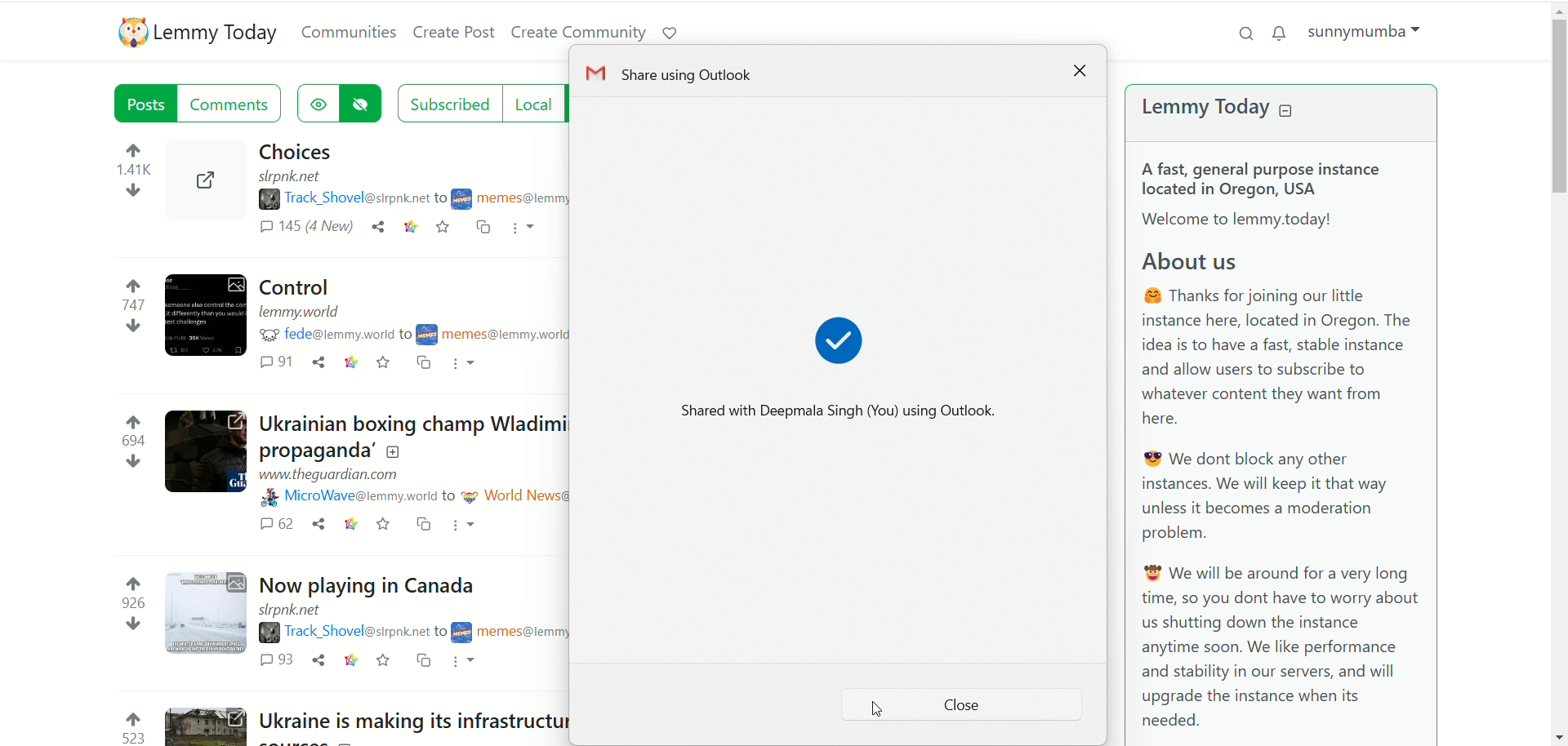 The image size is (1568, 746). Describe the element at coordinates (1080, 73) in the screenshot. I see `close` at that location.